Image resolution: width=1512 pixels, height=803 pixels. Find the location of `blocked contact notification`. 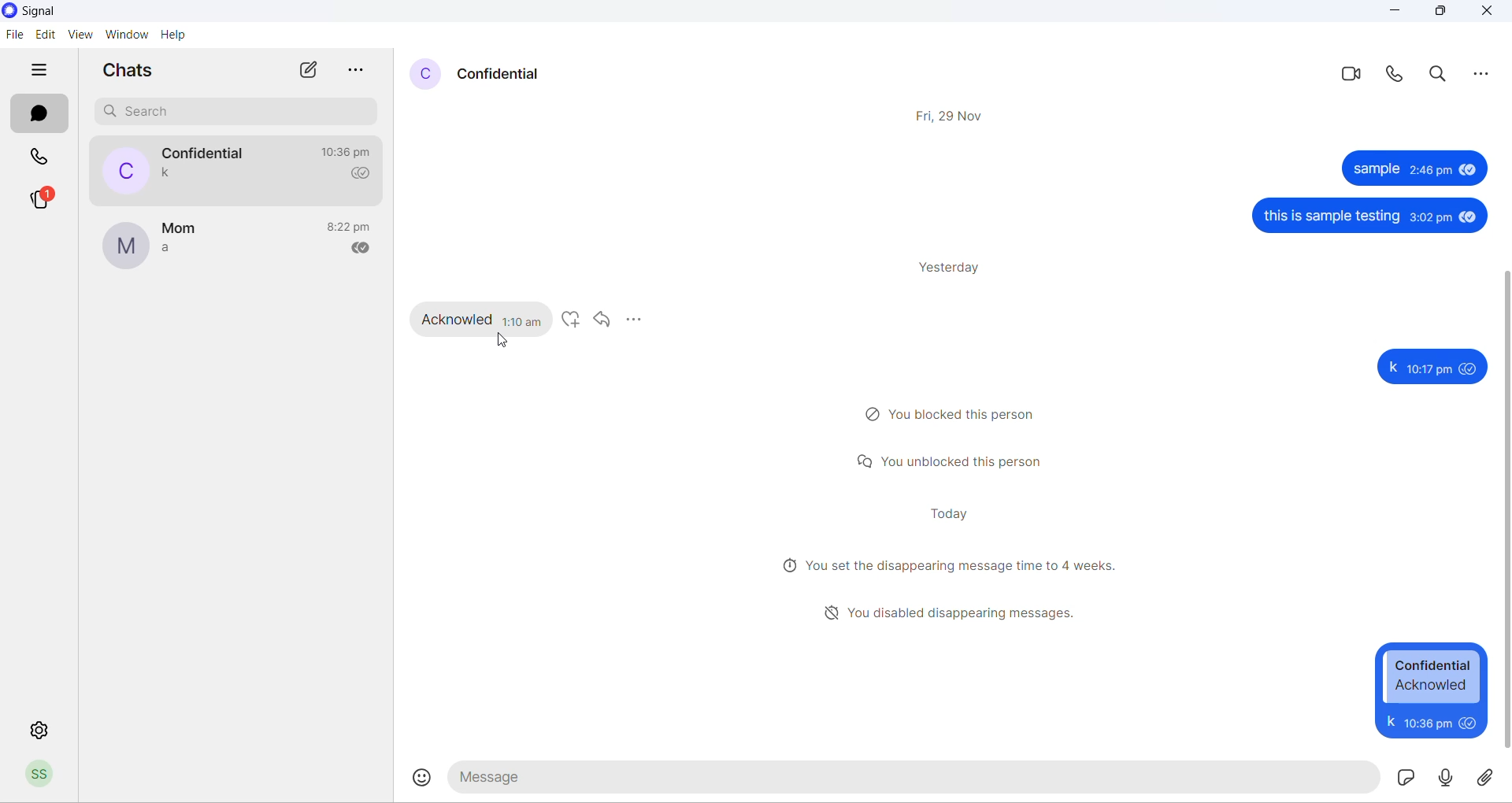

blocked contact notification is located at coordinates (957, 413).